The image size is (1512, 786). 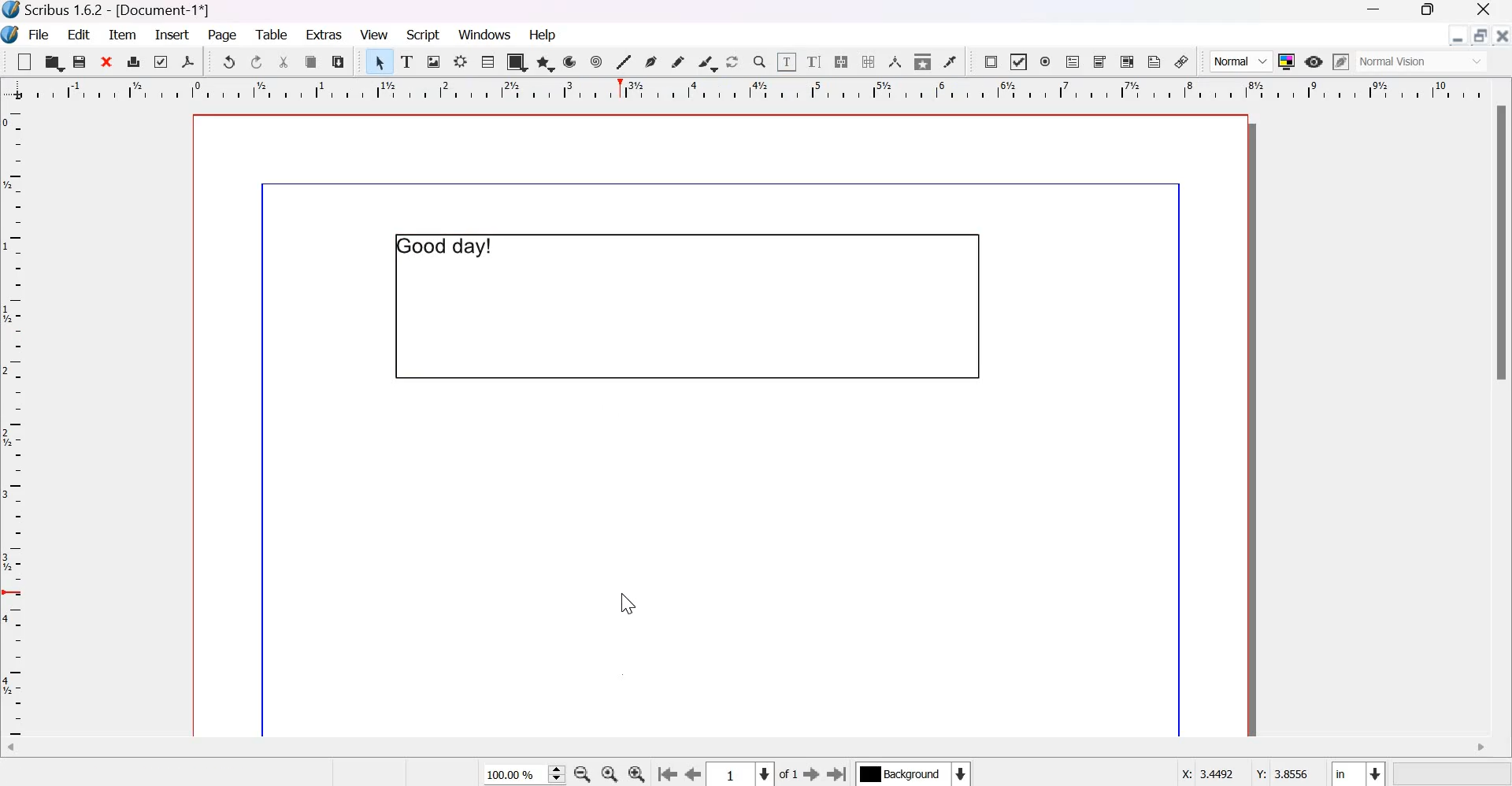 What do you see at coordinates (1422, 12) in the screenshot?
I see `Maximize` at bounding box center [1422, 12].